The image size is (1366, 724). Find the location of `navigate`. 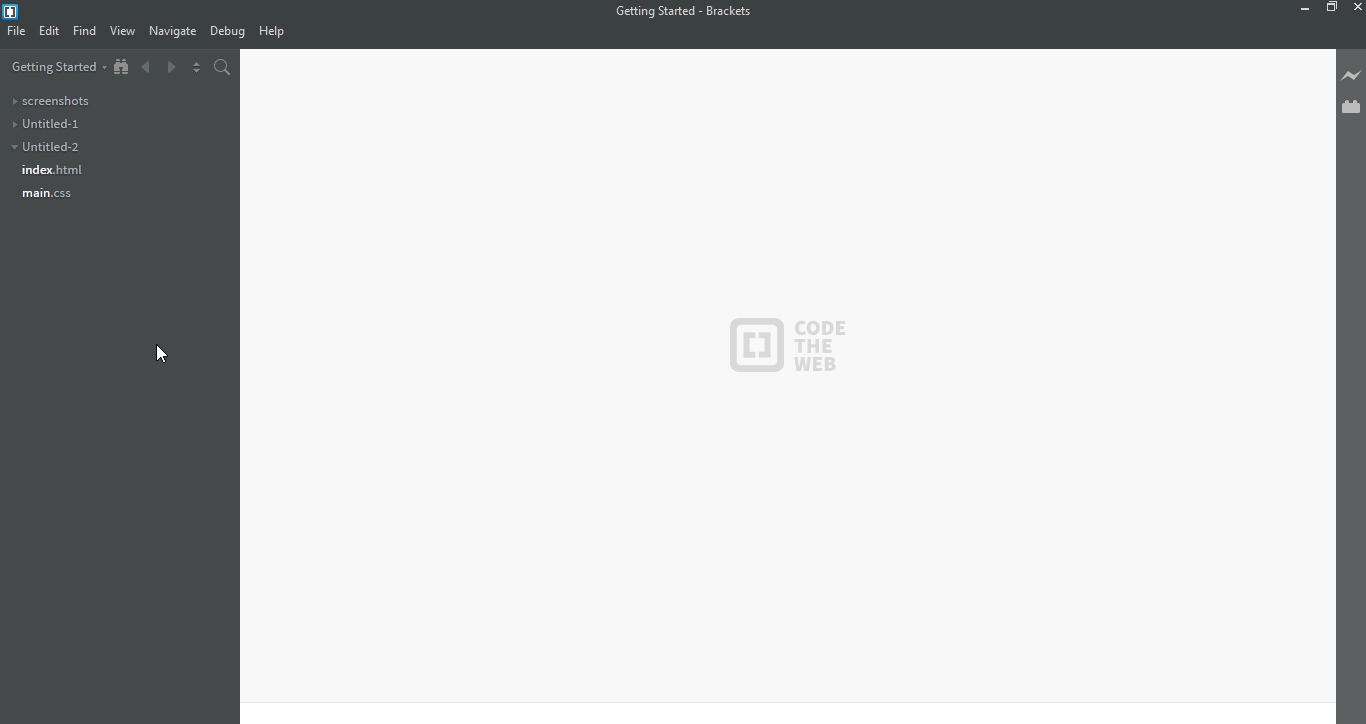

navigate is located at coordinates (175, 33).